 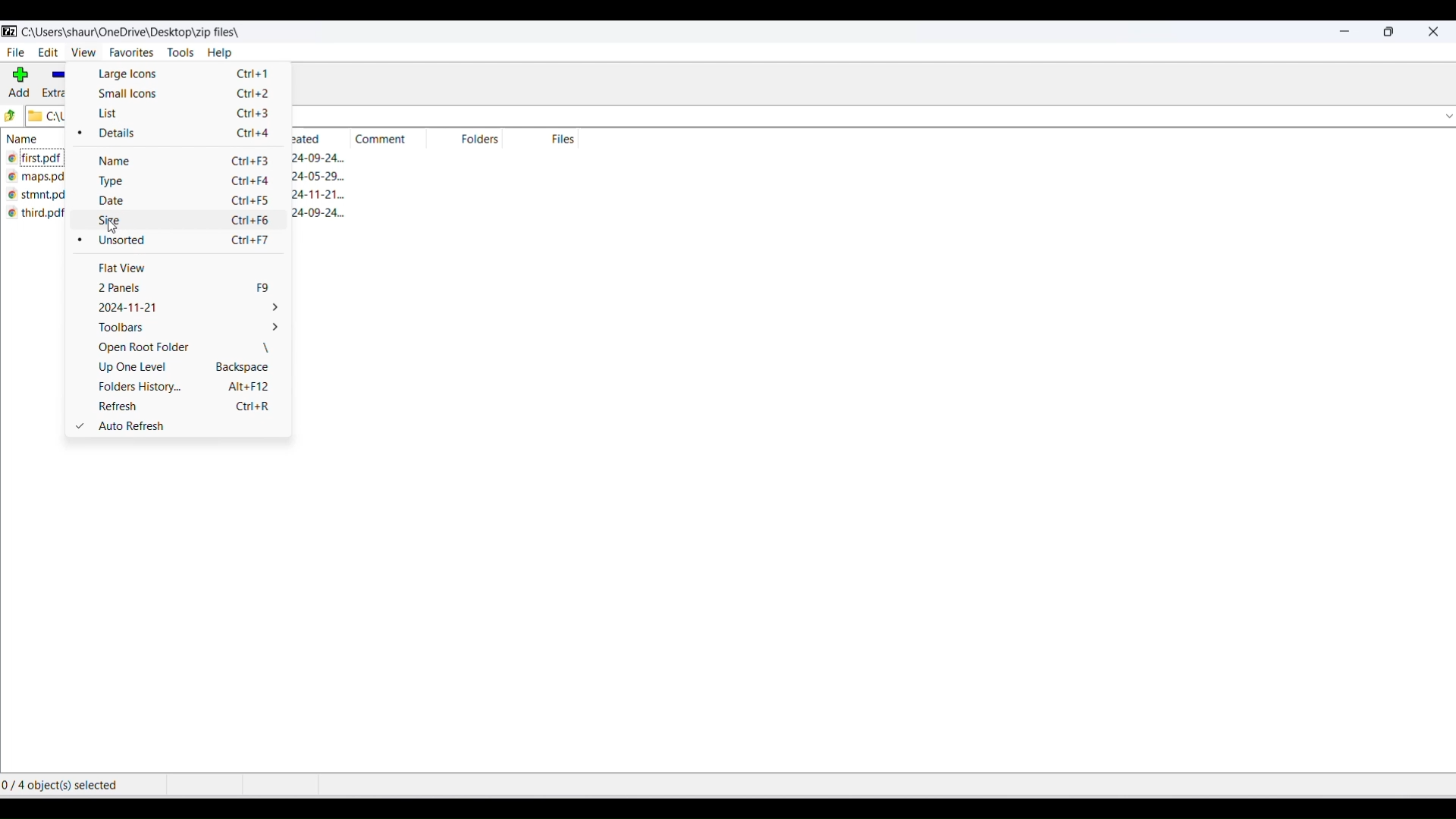 What do you see at coordinates (176, 53) in the screenshot?
I see `tools` at bounding box center [176, 53].